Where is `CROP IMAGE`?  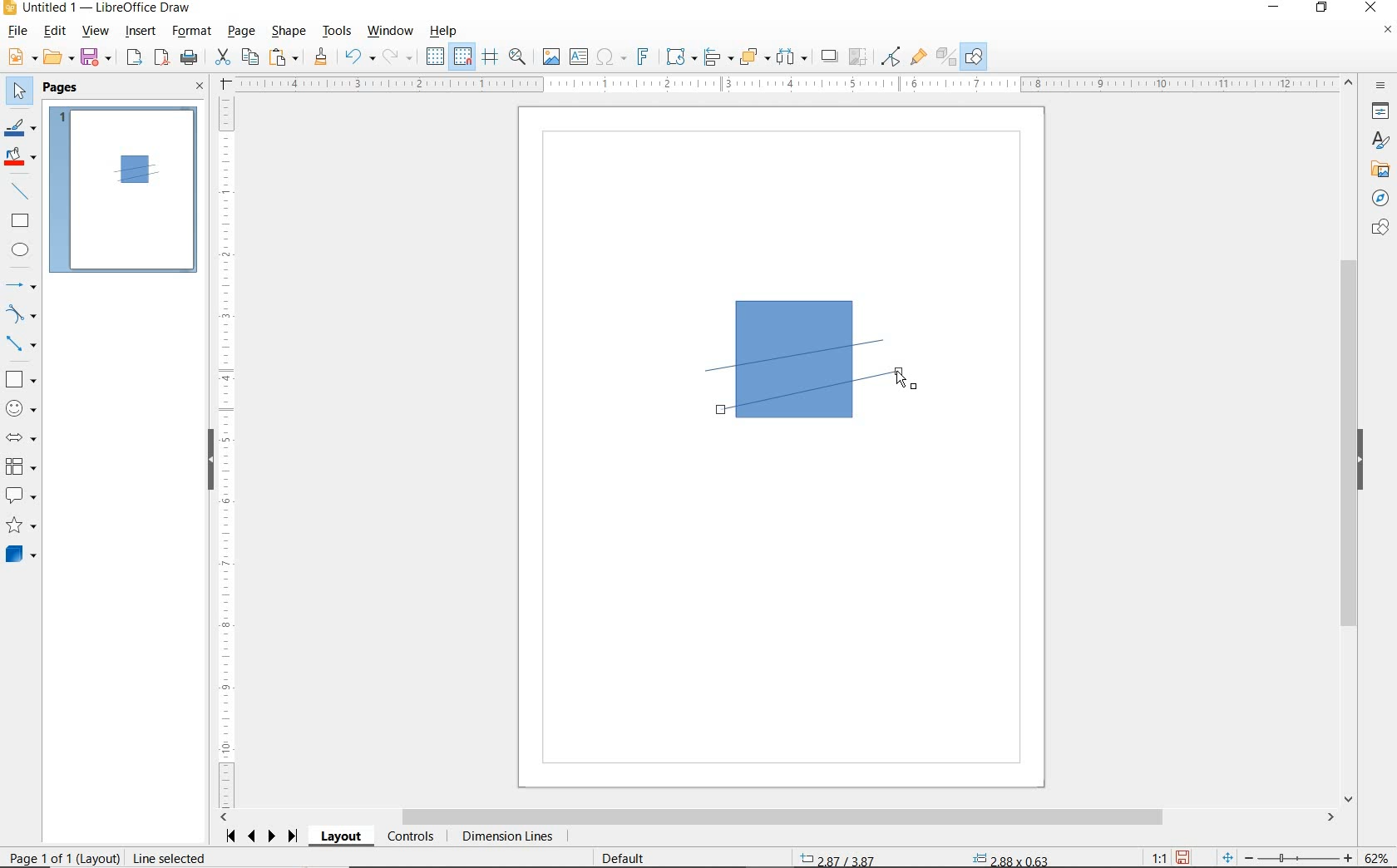
CROP IMAGE is located at coordinates (859, 57).